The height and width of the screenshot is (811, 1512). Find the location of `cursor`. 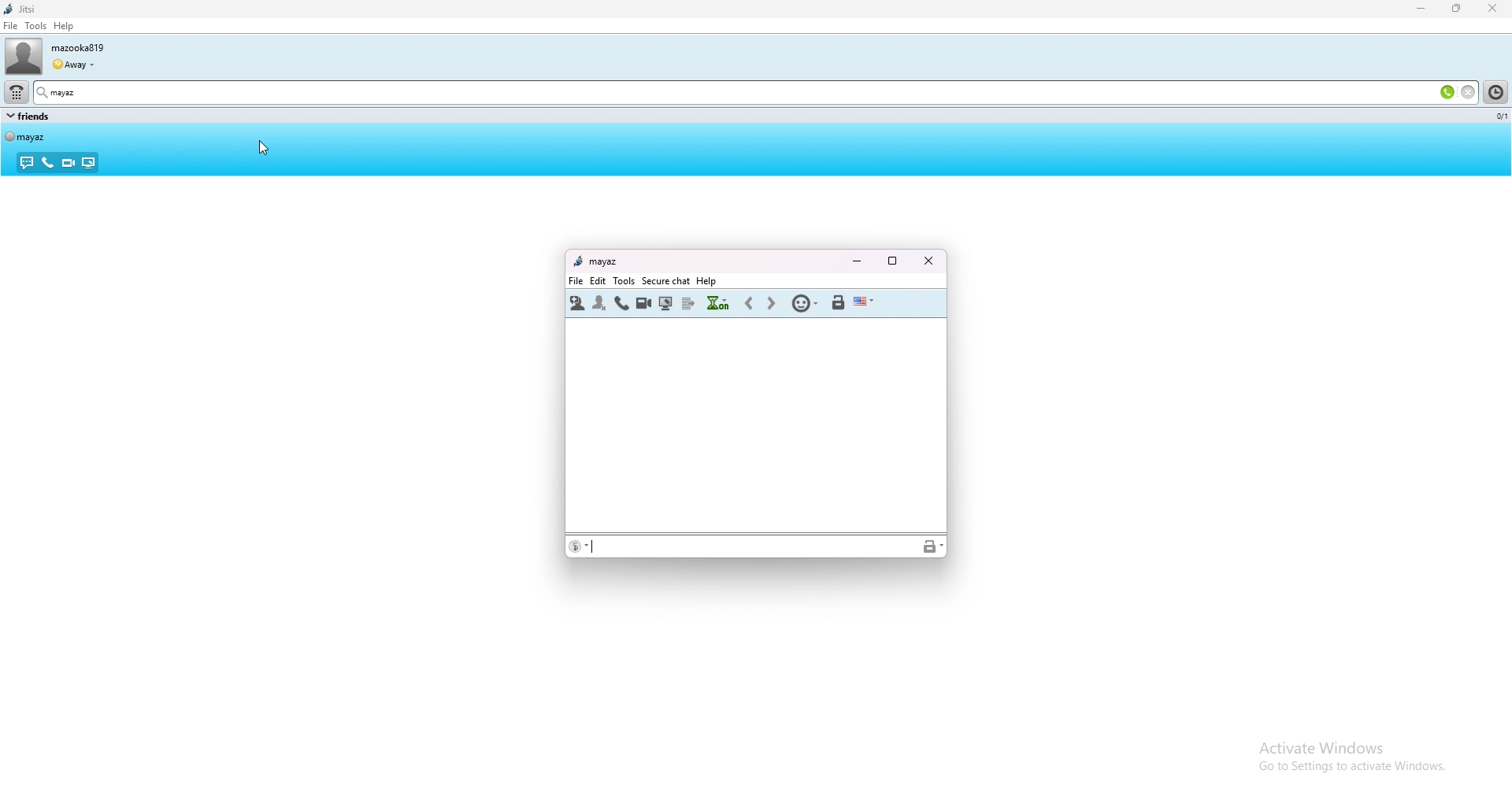

cursor is located at coordinates (263, 147).